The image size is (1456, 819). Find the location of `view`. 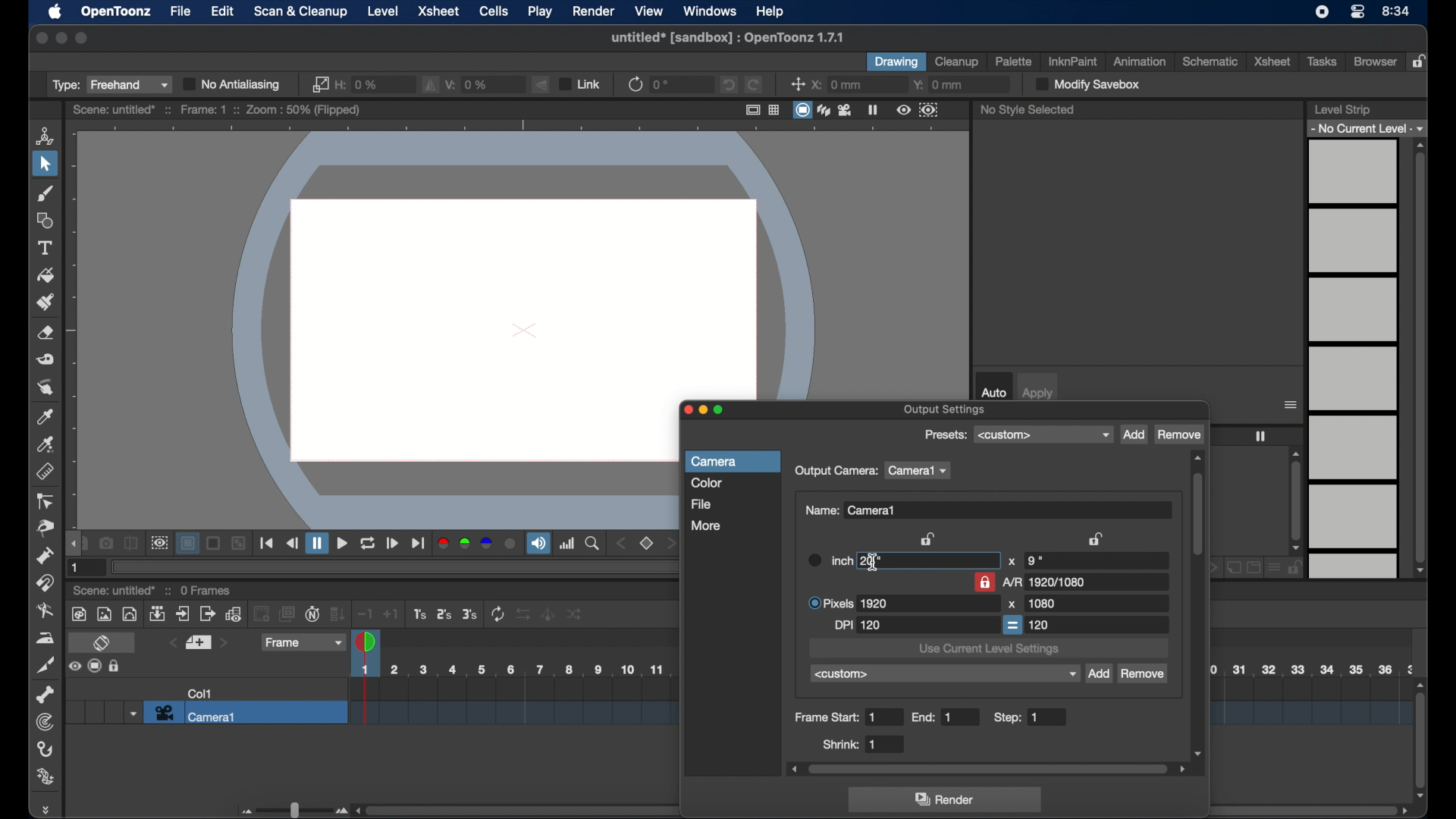

view is located at coordinates (649, 10).